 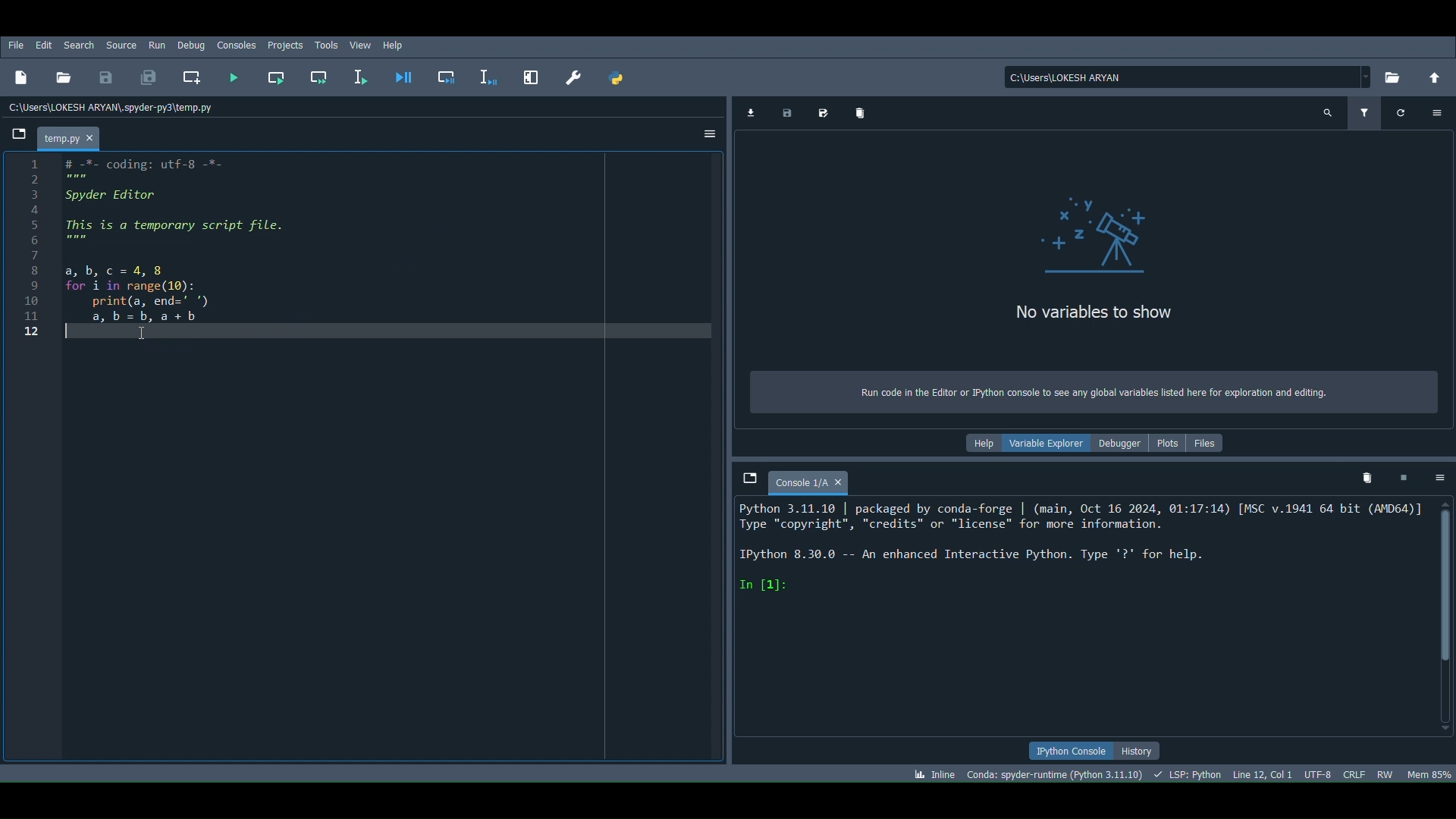 I want to click on Variable explorer, so click(x=1040, y=443).